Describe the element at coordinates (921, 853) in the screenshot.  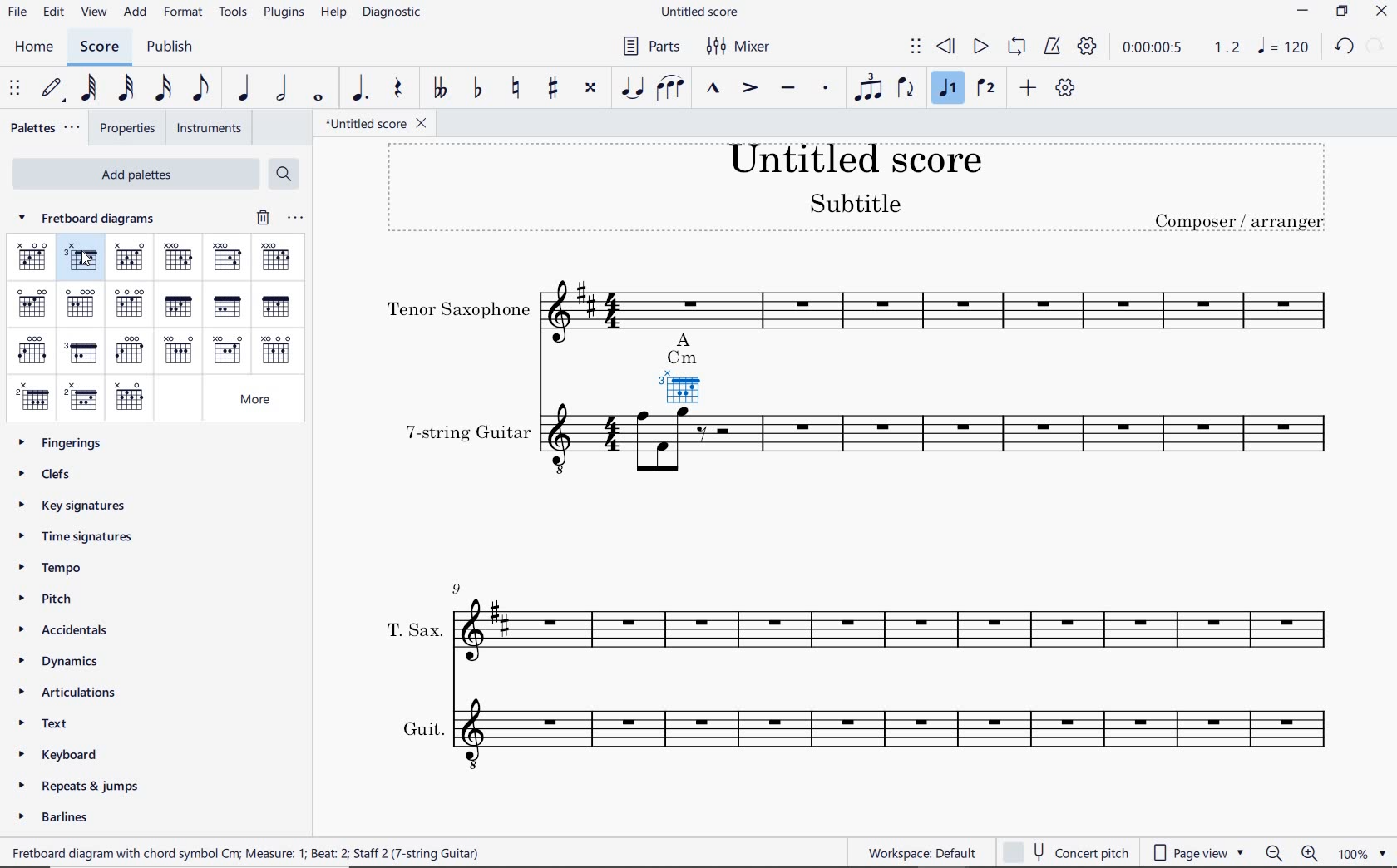
I see `workspace default` at that location.